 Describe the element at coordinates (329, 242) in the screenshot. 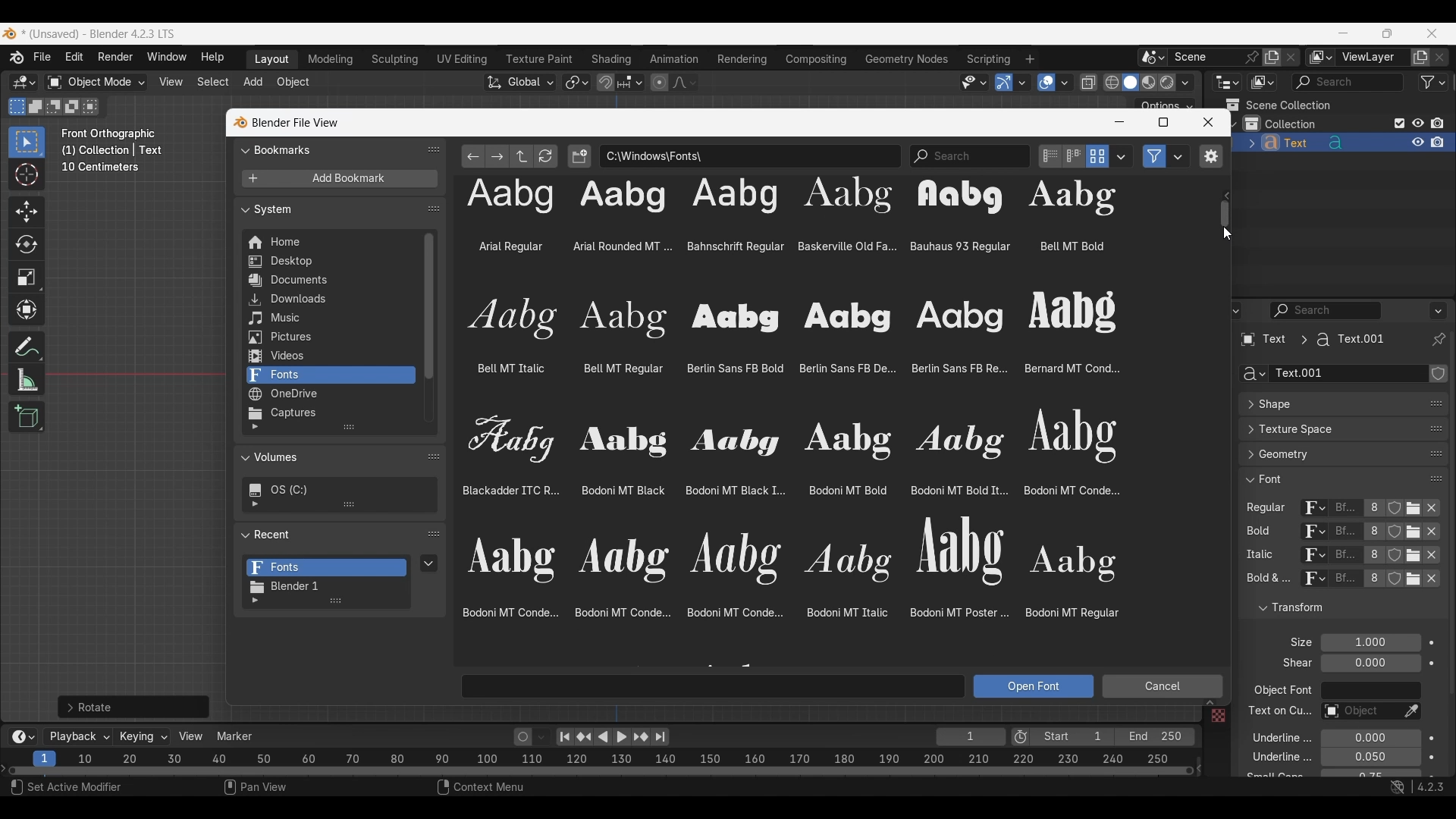

I see `Home folder` at that location.